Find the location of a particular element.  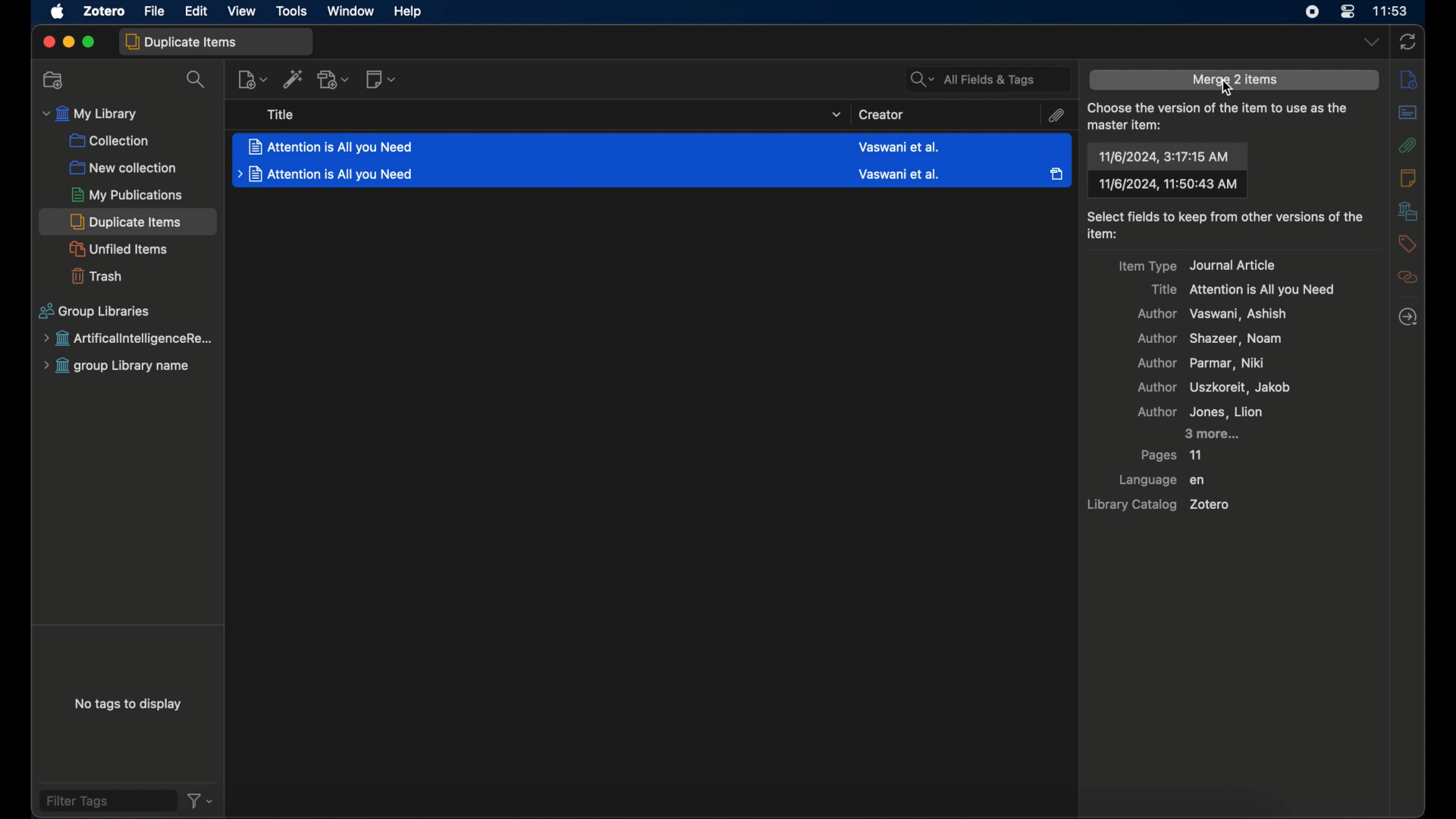

locate is located at coordinates (1408, 318).